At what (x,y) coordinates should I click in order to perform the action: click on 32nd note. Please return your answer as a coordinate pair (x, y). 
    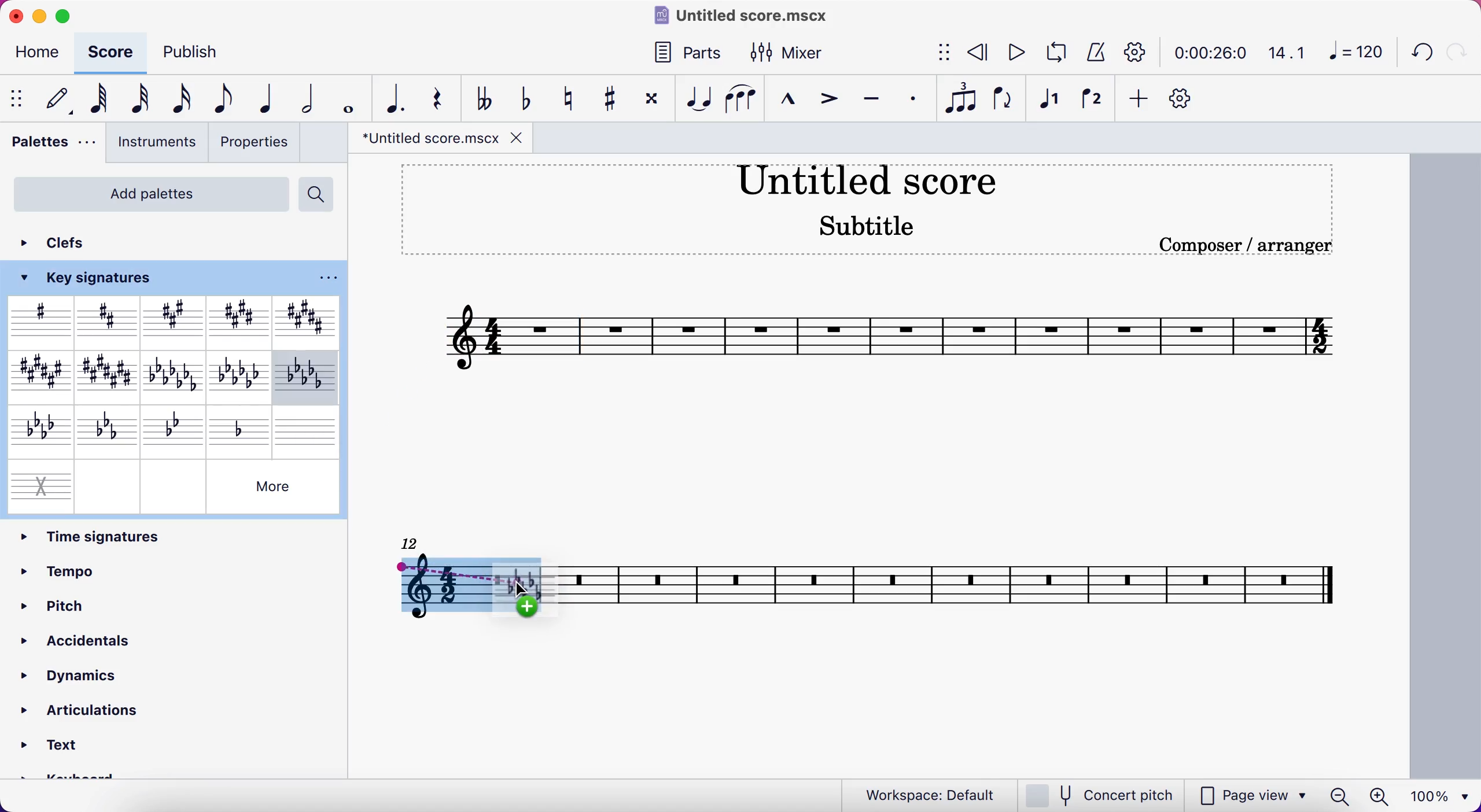
    Looking at the image, I should click on (145, 97).